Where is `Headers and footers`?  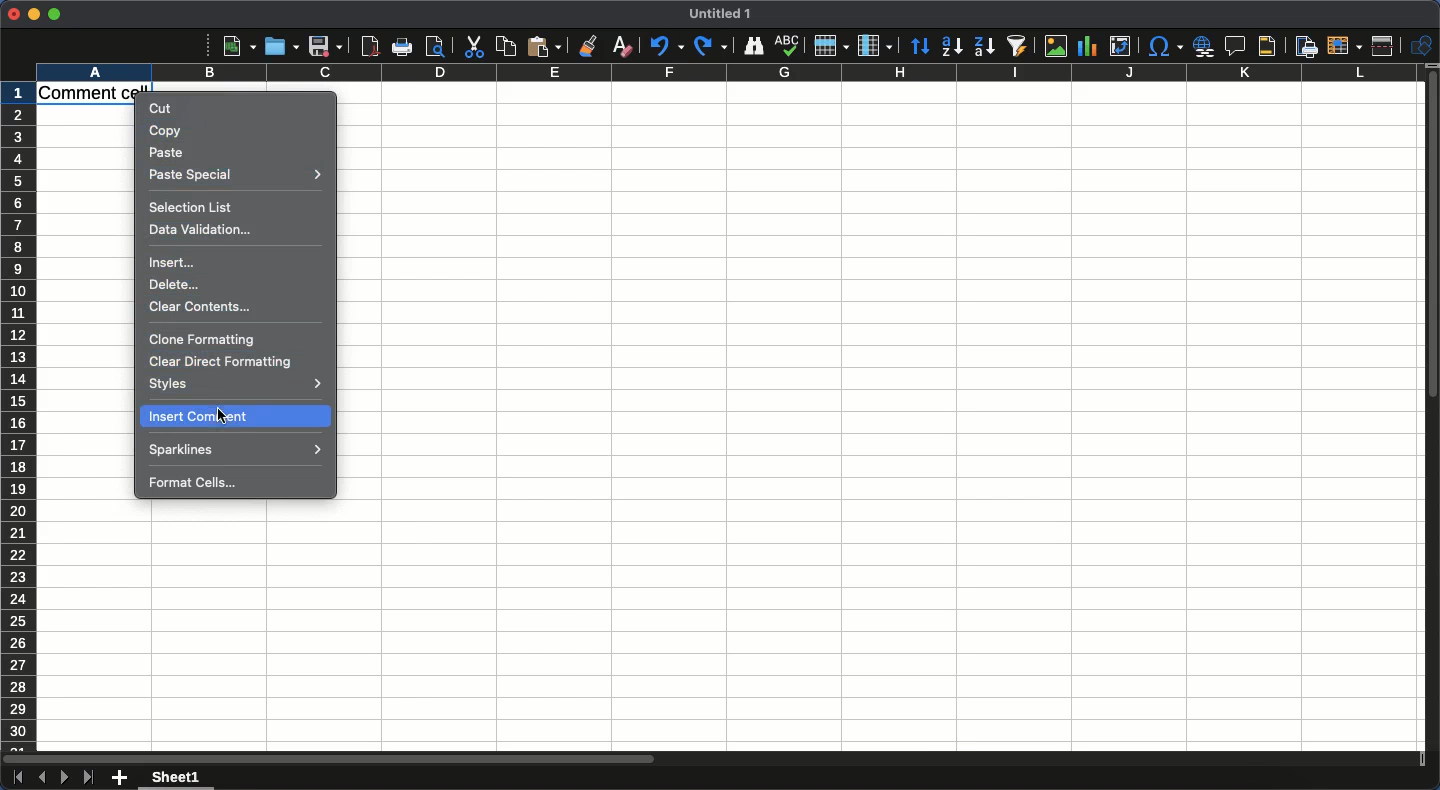
Headers and footers is located at coordinates (1269, 45).